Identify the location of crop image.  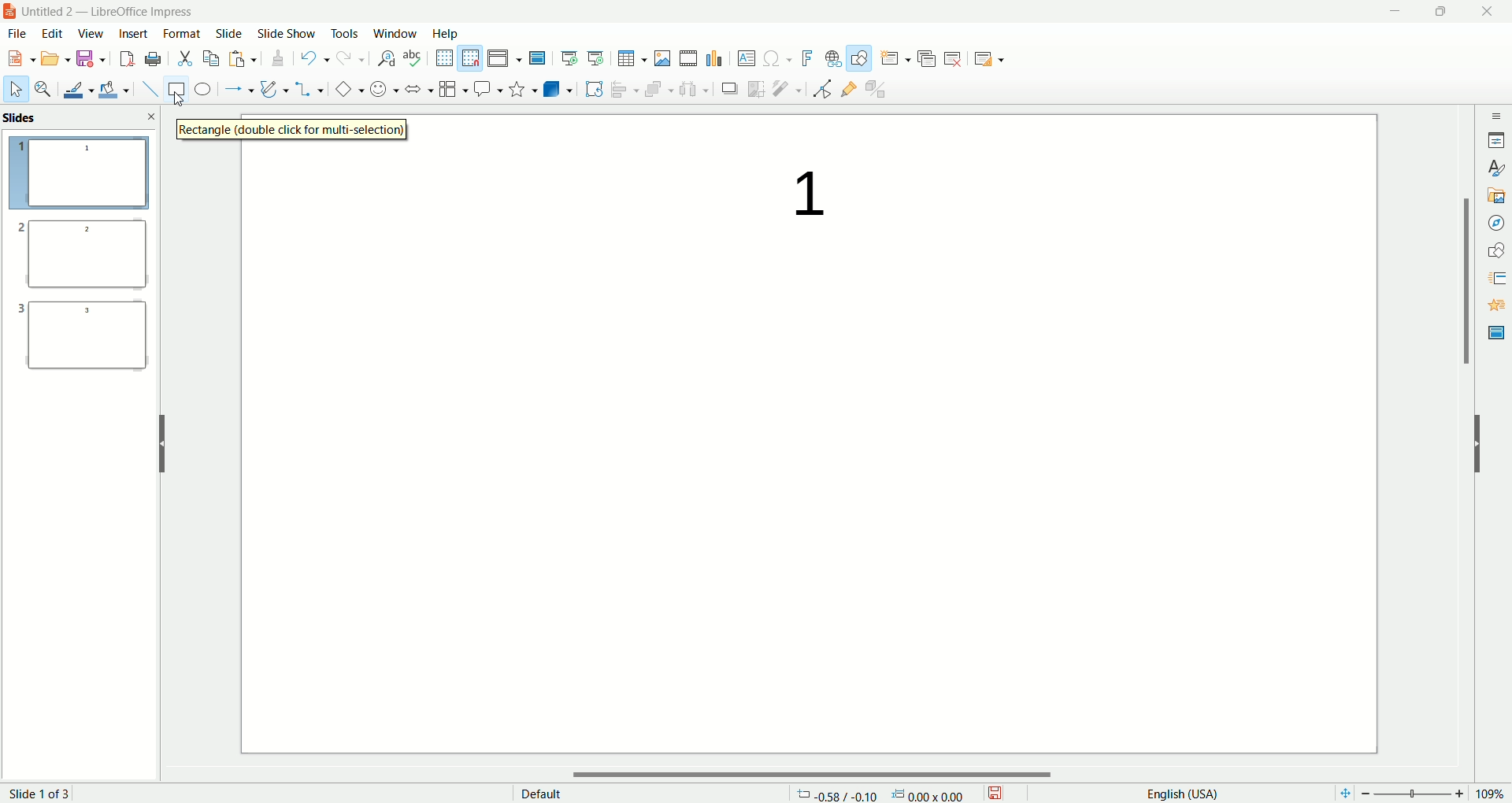
(757, 88).